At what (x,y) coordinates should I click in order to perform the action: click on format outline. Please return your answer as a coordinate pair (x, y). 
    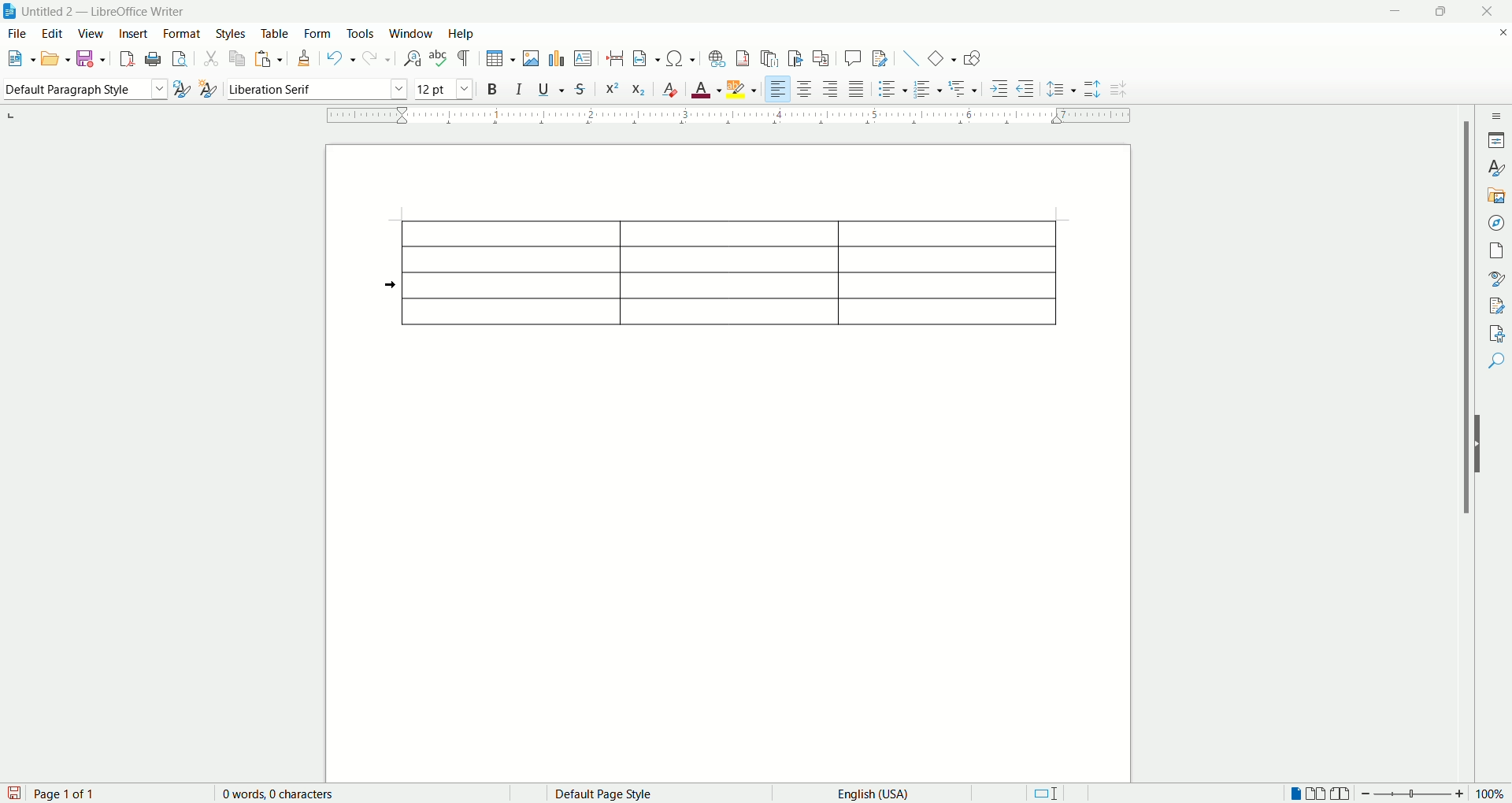
    Looking at the image, I should click on (963, 88).